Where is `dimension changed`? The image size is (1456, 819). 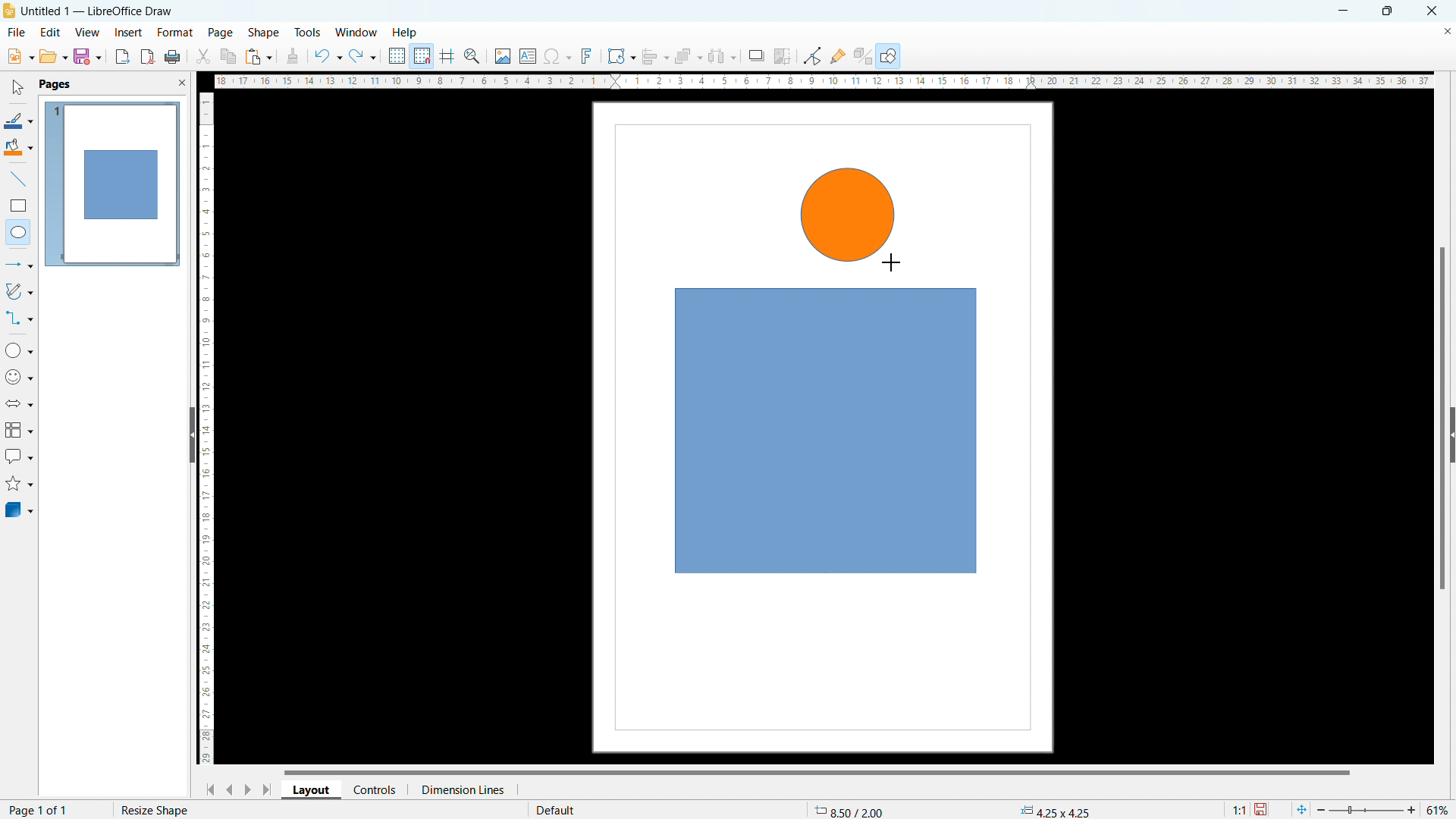
dimension changed is located at coordinates (1054, 810).